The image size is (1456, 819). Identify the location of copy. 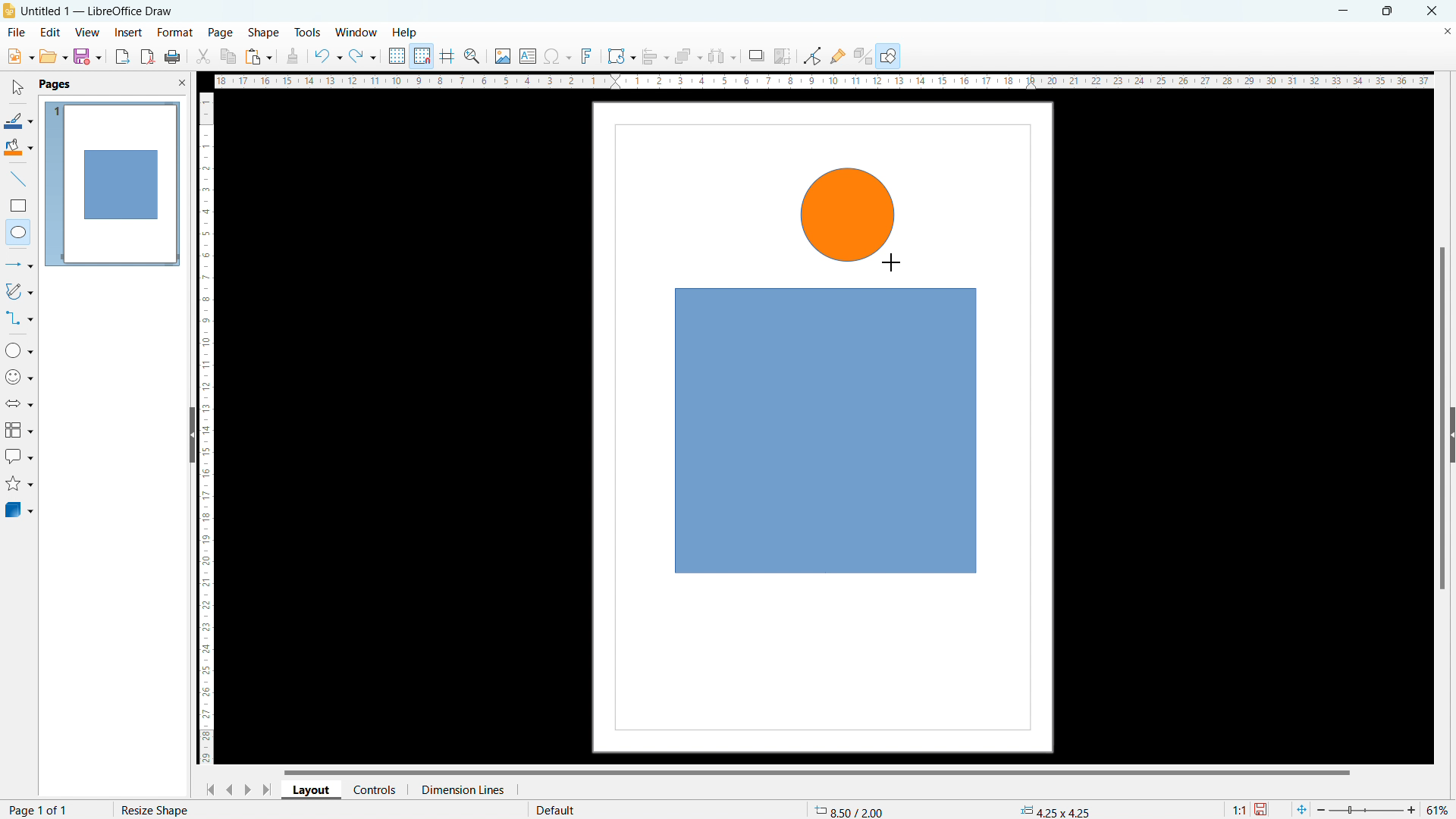
(229, 56).